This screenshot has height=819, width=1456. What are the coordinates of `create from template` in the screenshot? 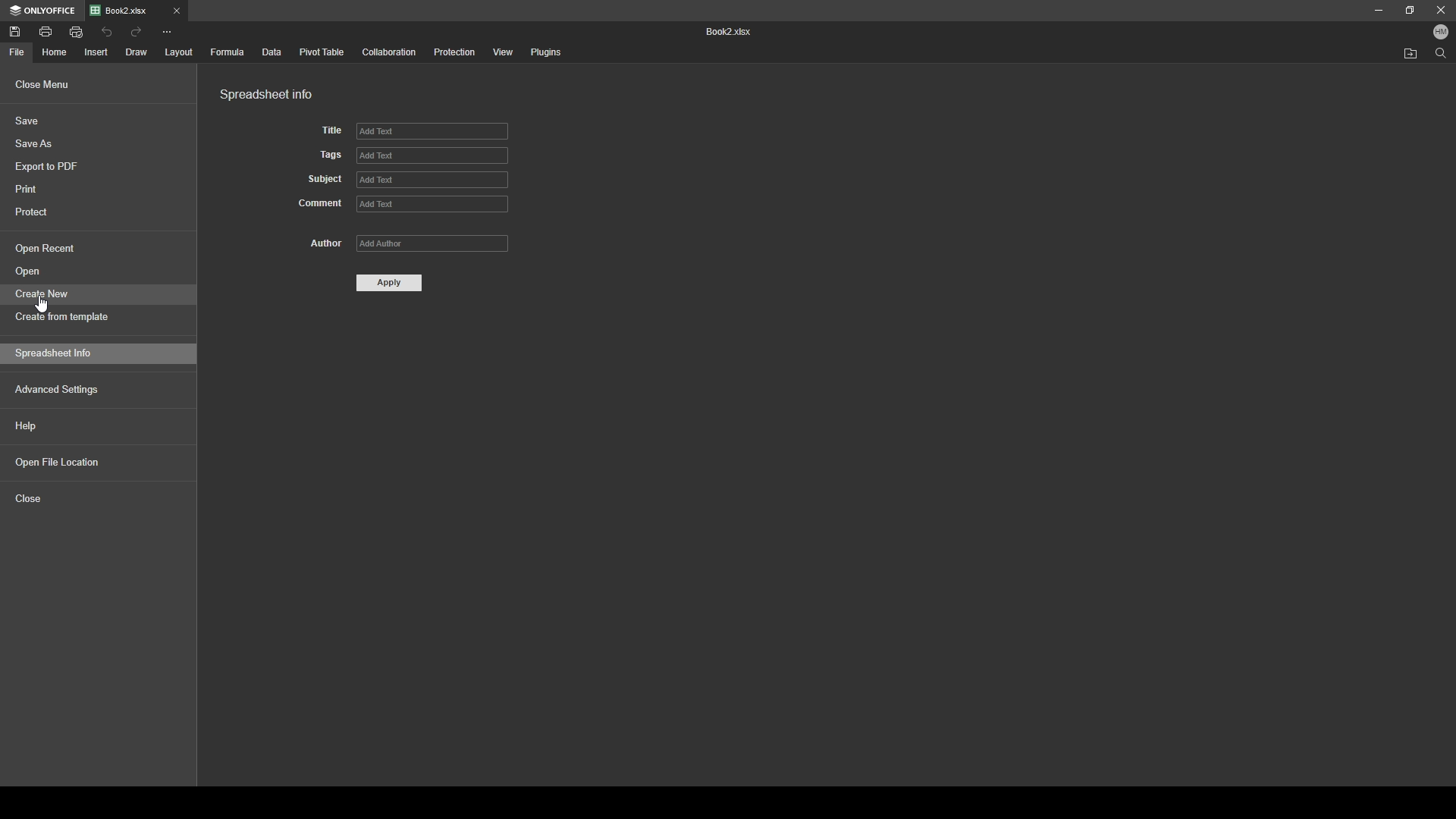 It's located at (91, 317).